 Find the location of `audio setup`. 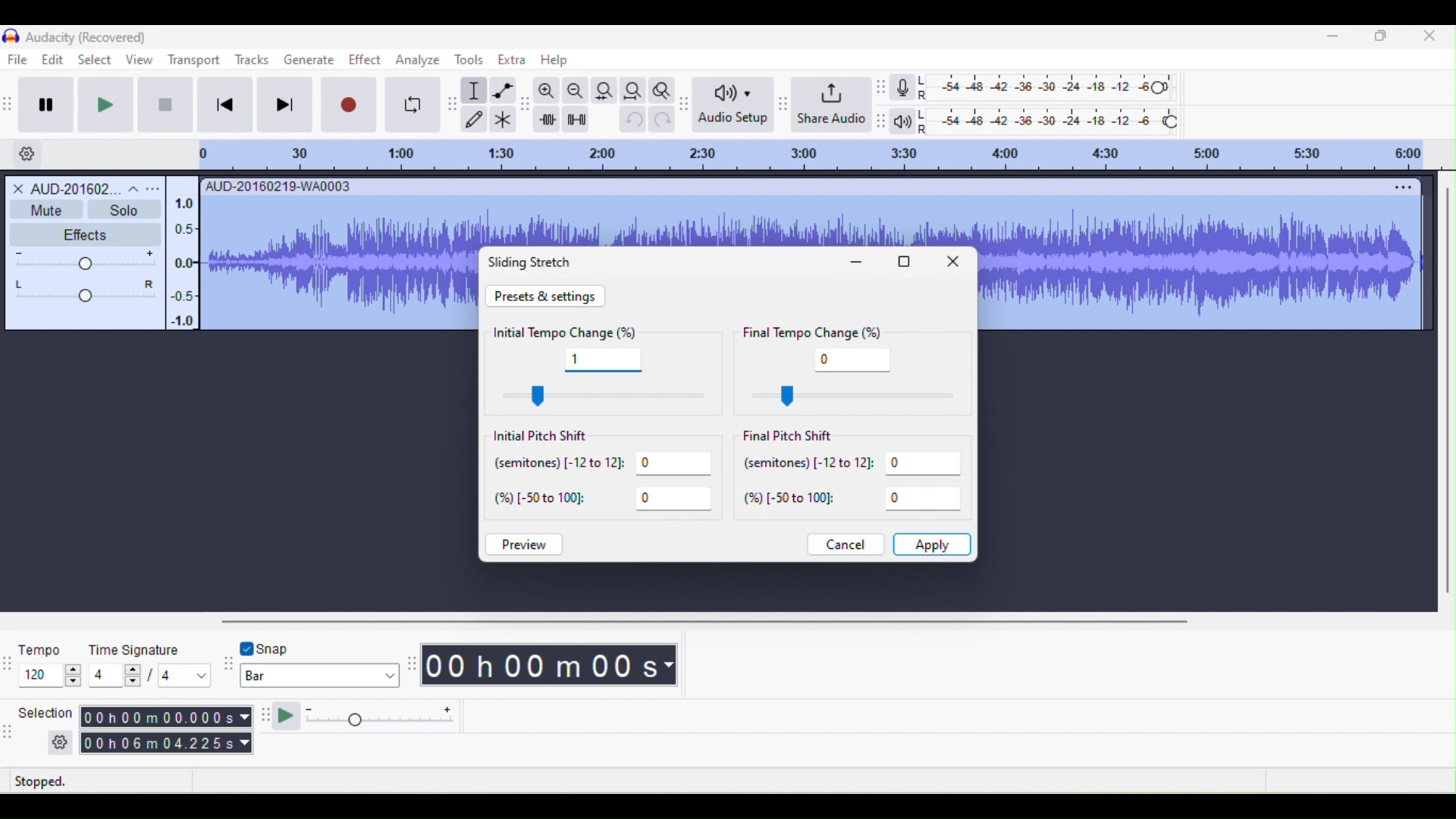

audio setup is located at coordinates (732, 105).